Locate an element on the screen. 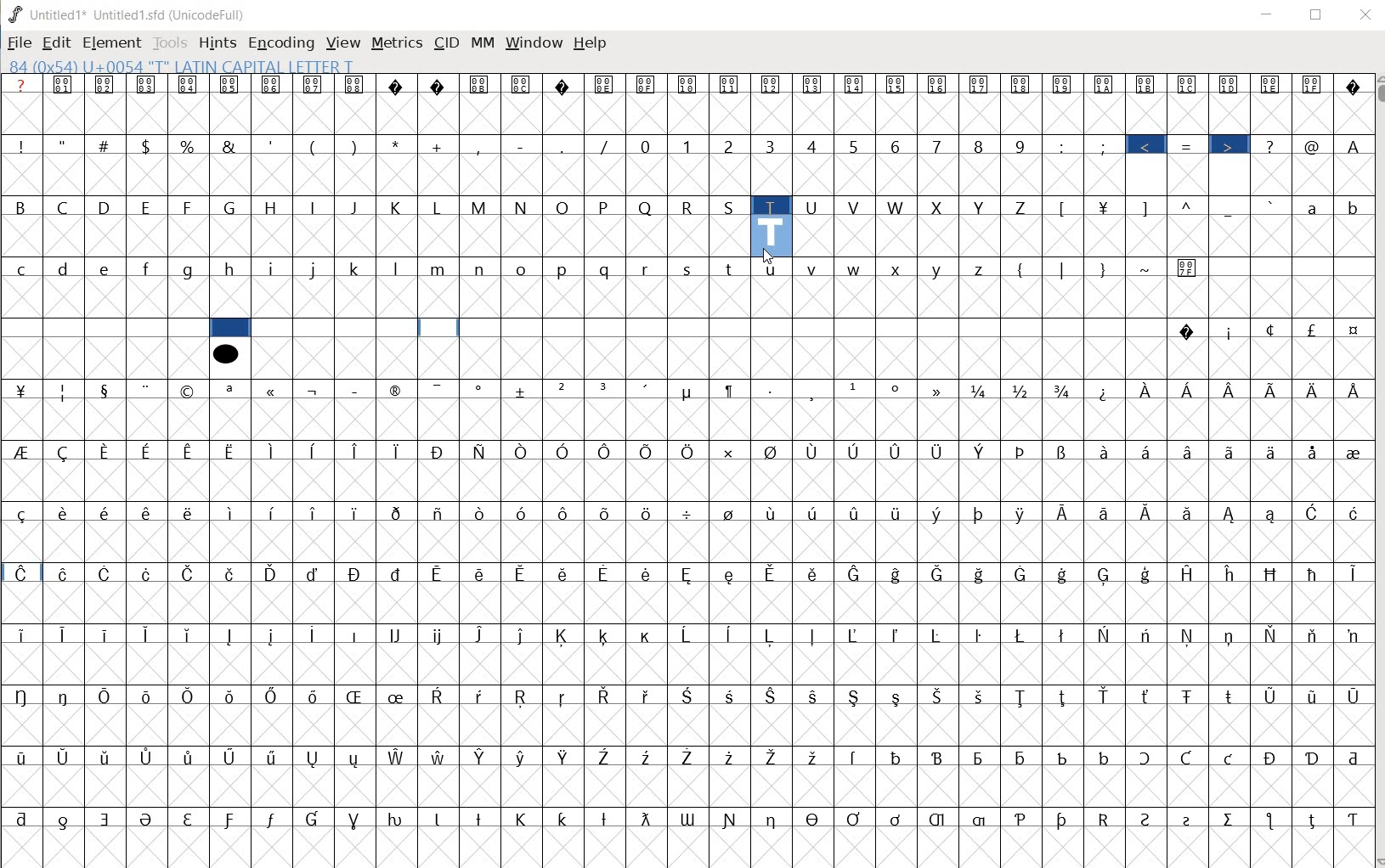  Symbol is located at coordinates (1313, 757).